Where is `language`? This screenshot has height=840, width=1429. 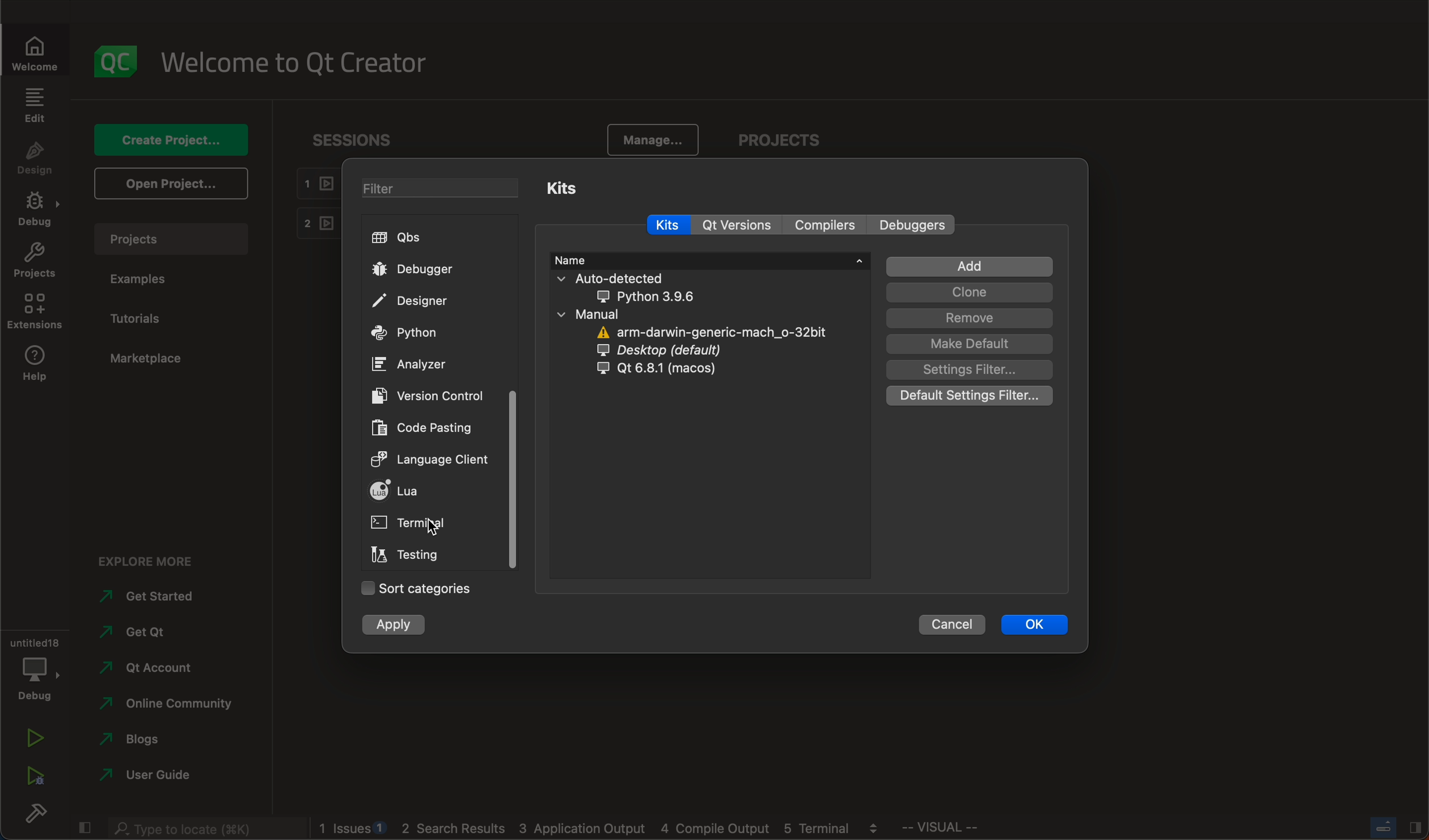 language is located at coordinates (433, 461).